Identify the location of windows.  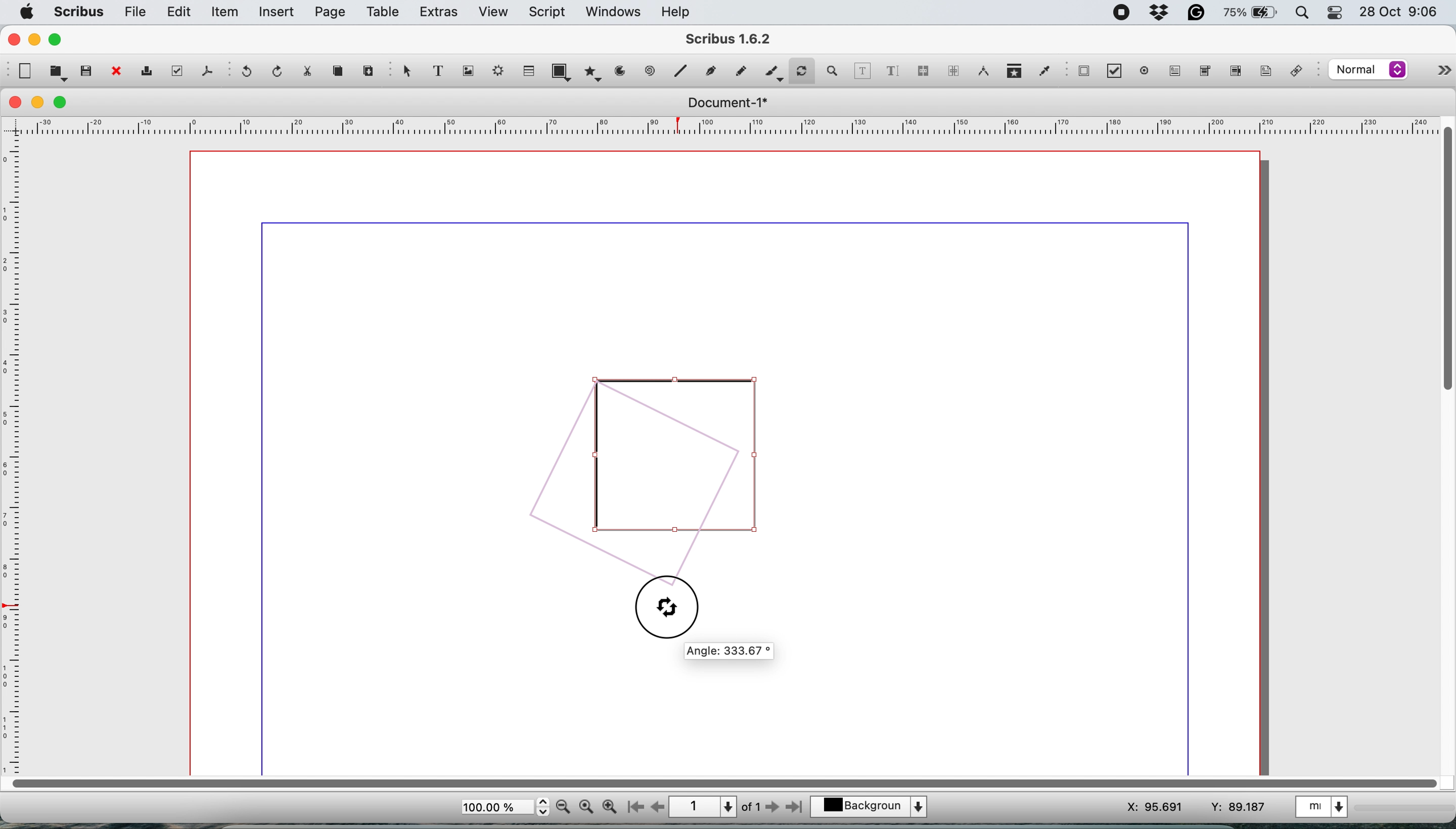
(611, 11).